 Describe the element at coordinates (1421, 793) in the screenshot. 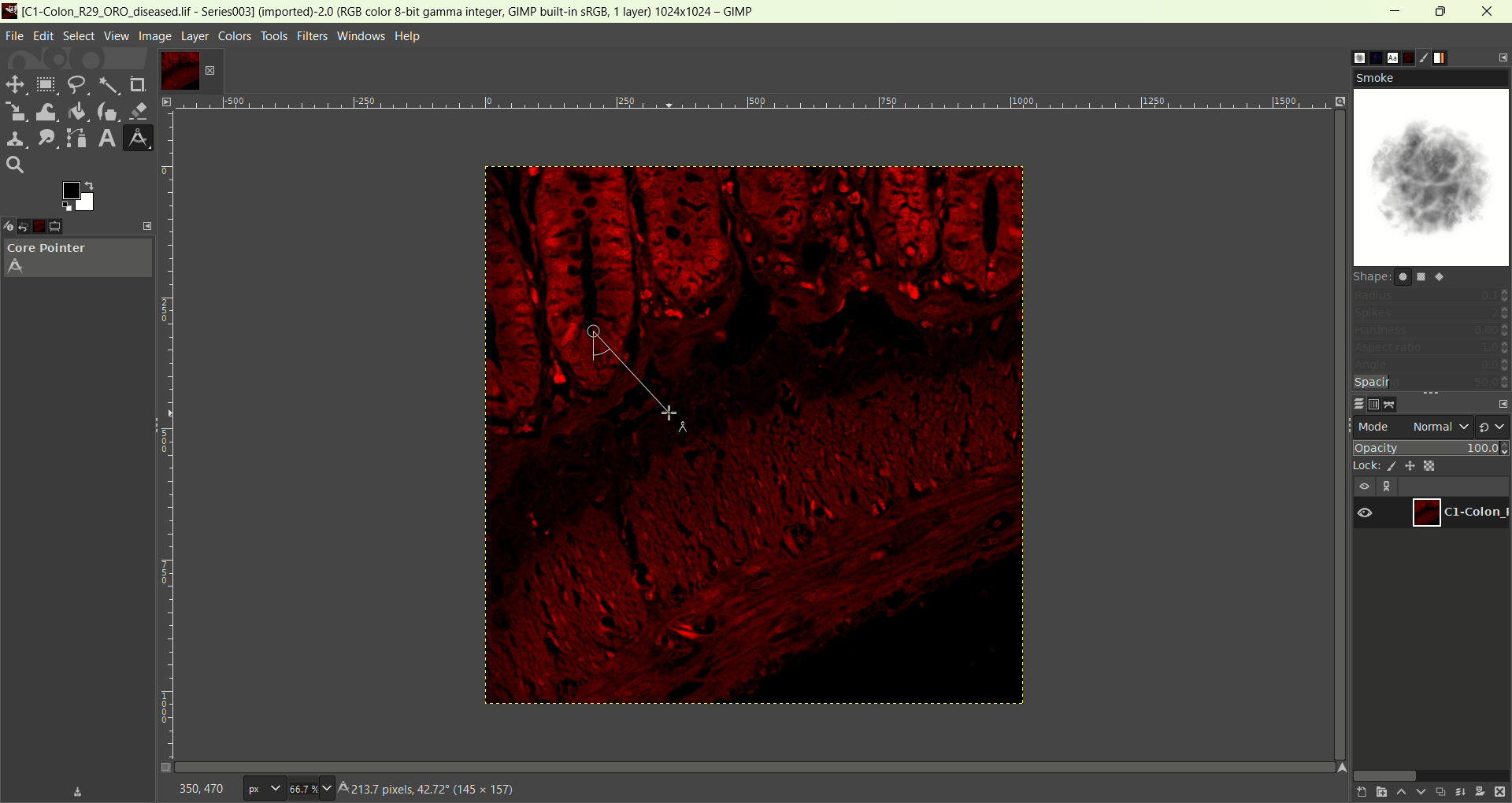

I see `lower this layer one step` at that location.